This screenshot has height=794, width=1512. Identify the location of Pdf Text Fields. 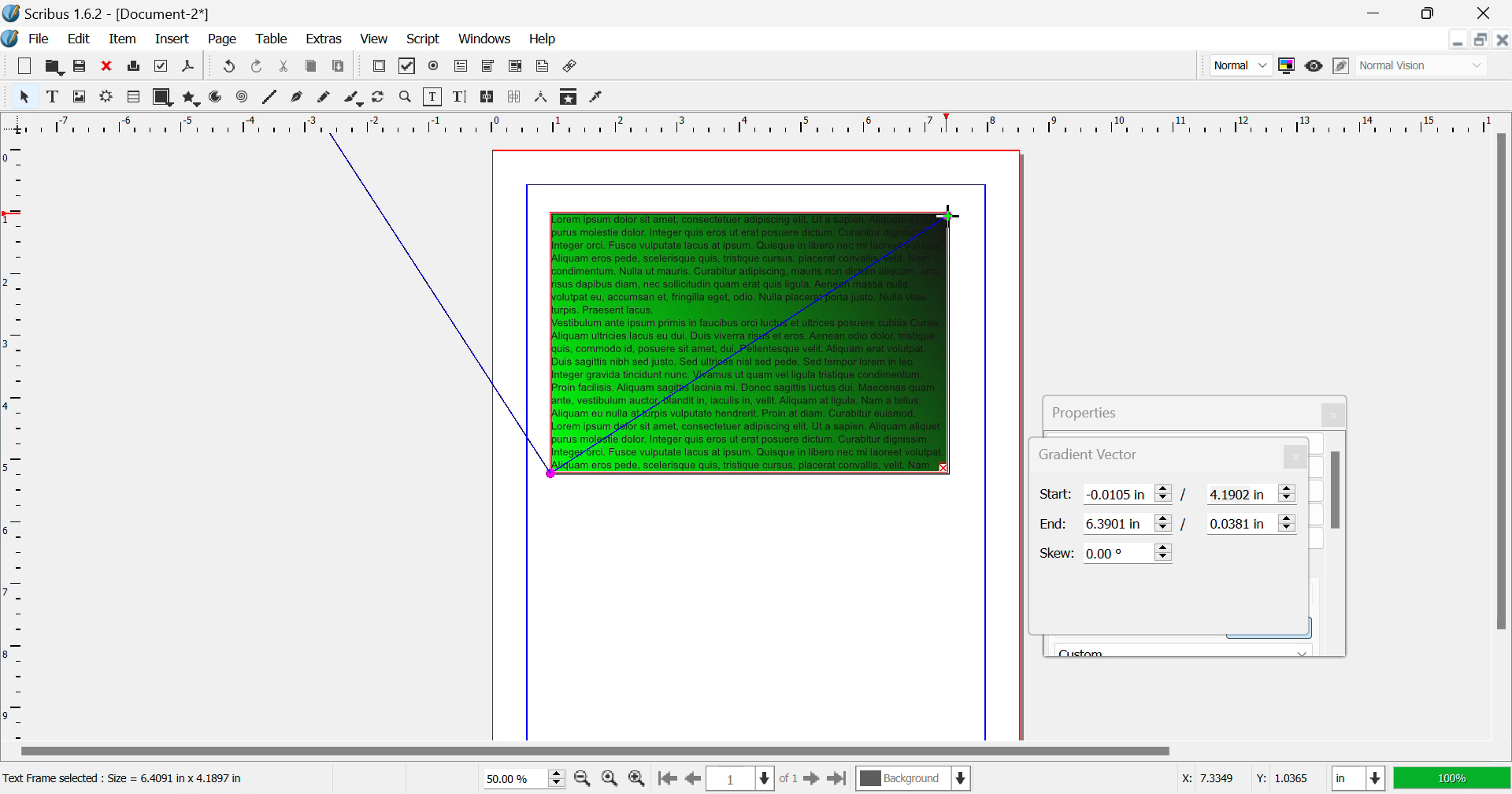
(461, 67).